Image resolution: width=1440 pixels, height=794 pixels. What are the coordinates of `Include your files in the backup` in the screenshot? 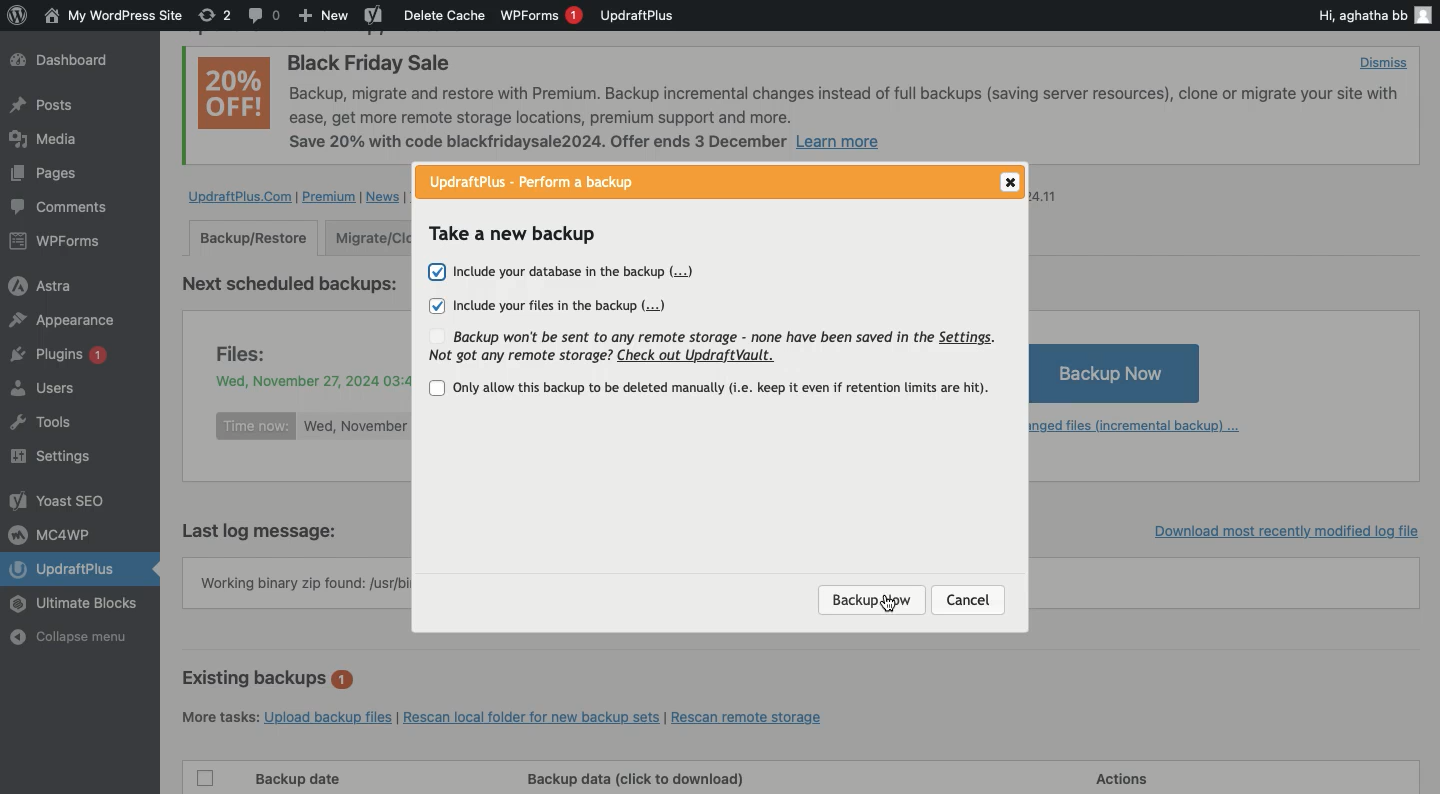 It's located at (550, 304).